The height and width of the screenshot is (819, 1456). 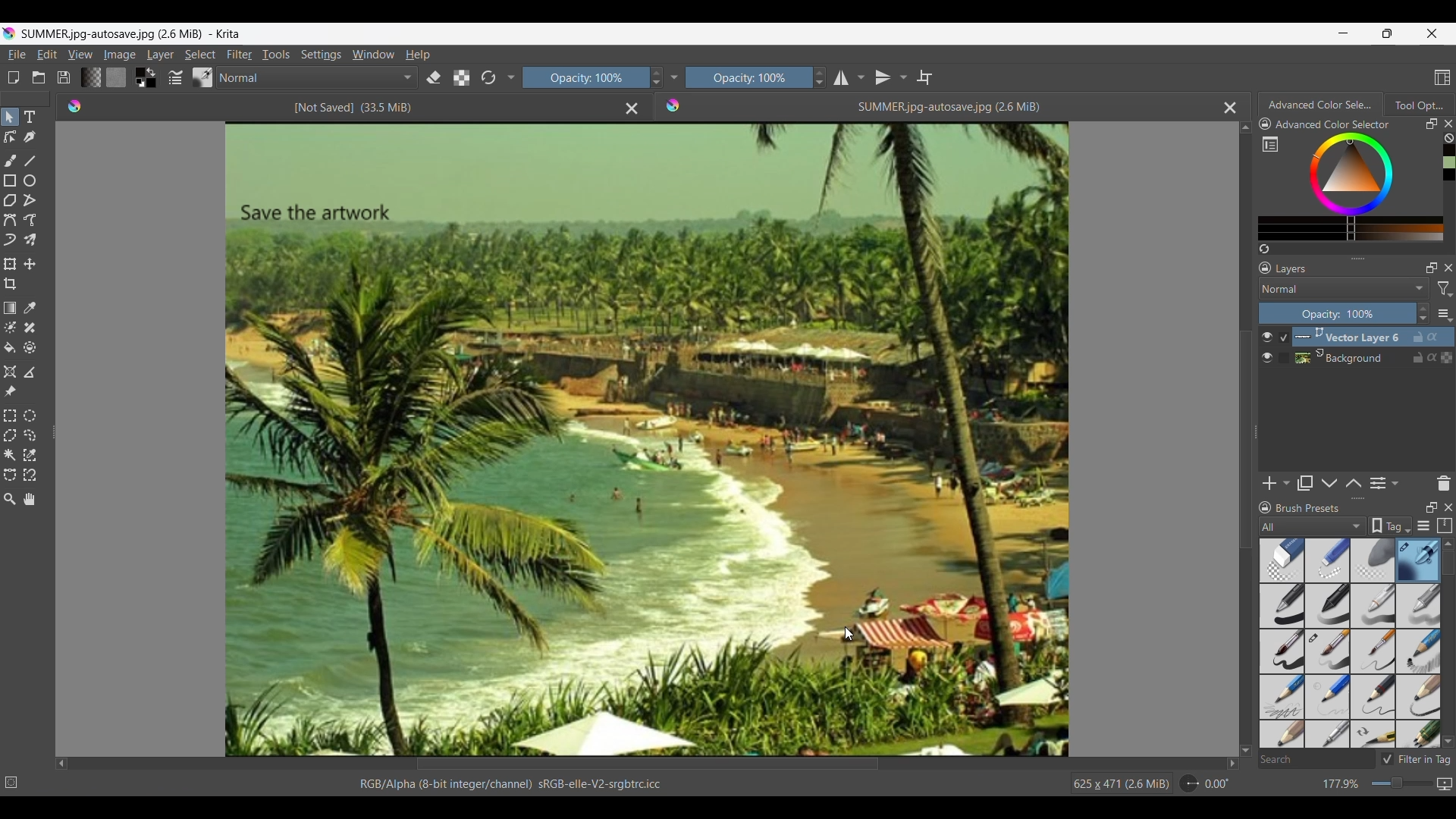 What do you see at coordinates (648, 765) in the screenshot?
I see `Horizontal slide bar` at bounding box center [648, 765].